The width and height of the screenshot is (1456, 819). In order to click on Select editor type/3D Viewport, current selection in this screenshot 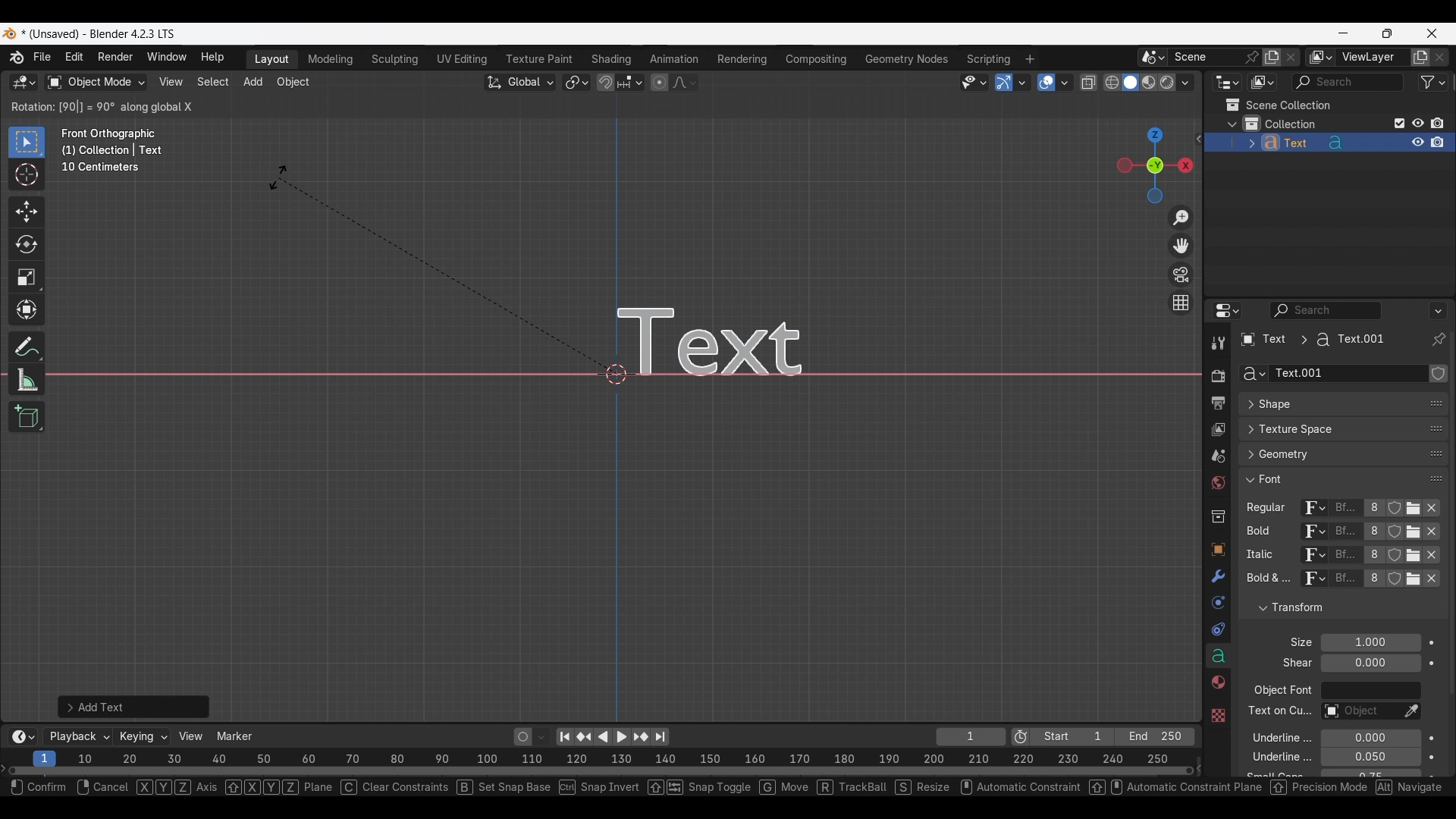, I will do `click(24, 82)`.